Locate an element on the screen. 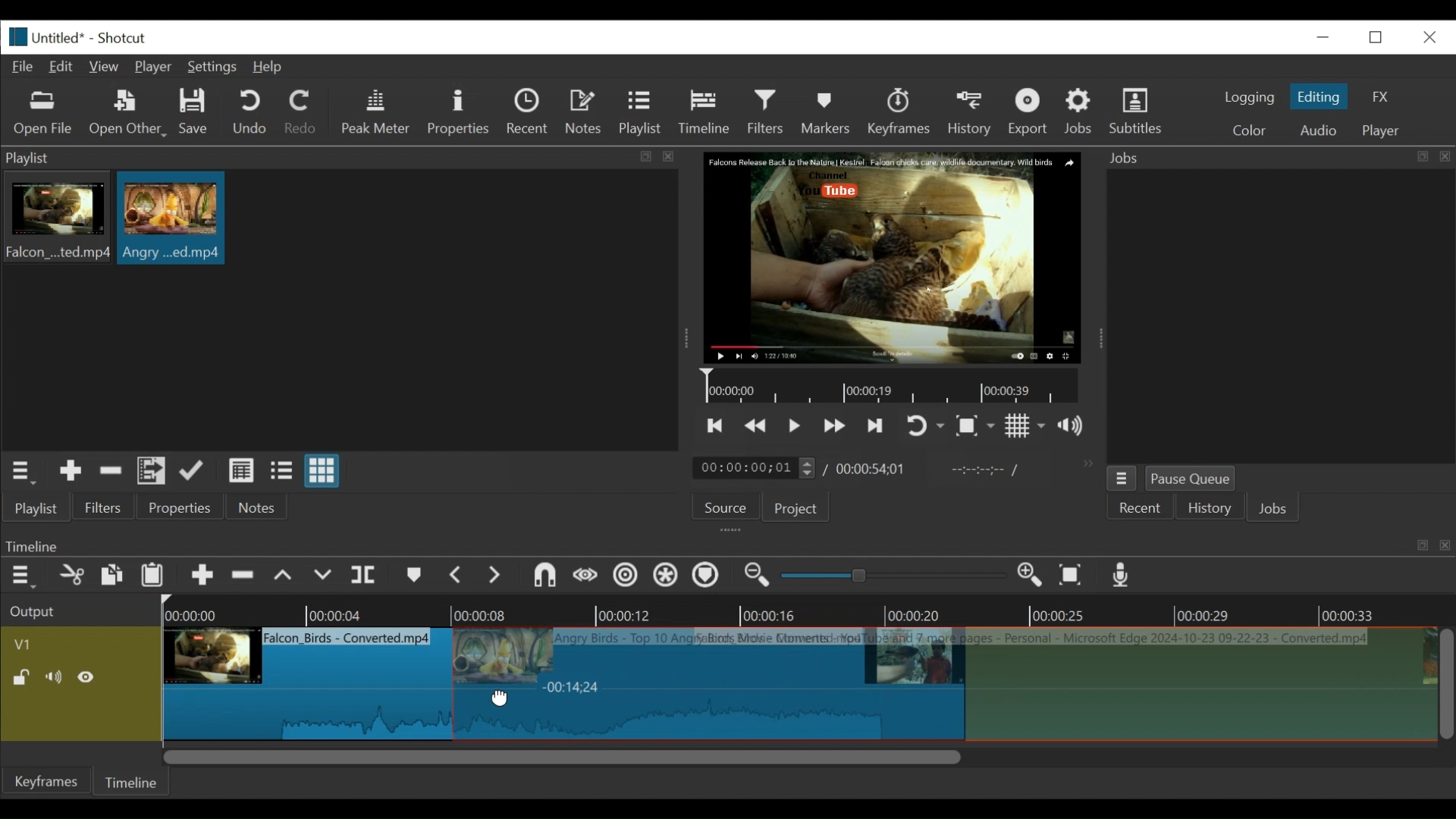 The width and height of the screenshot is (1456, 819). properties is located at coordinates (181, 508).